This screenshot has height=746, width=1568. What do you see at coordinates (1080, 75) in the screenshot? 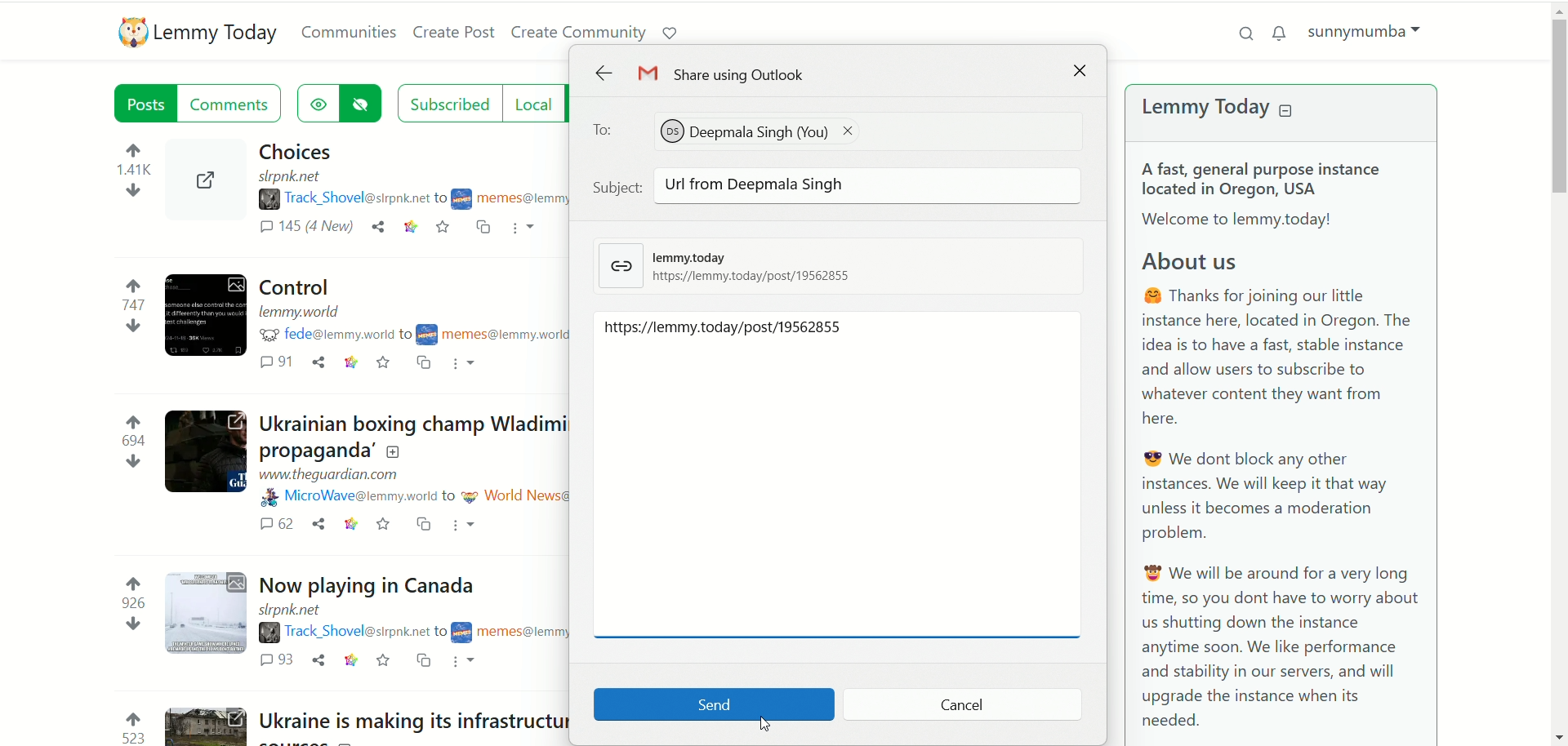
I see `close` at bounding box center [1080, 75].